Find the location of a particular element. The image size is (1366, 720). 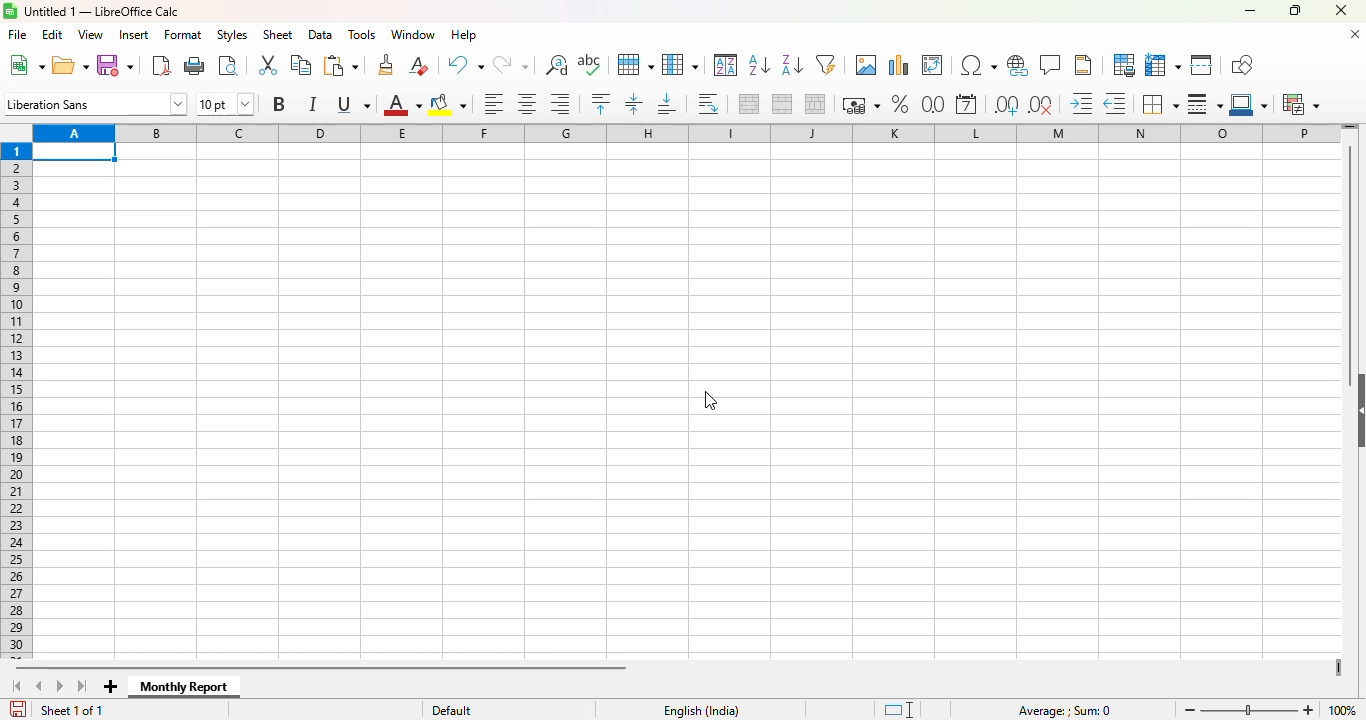

font size is located at coordinates (224, 103).